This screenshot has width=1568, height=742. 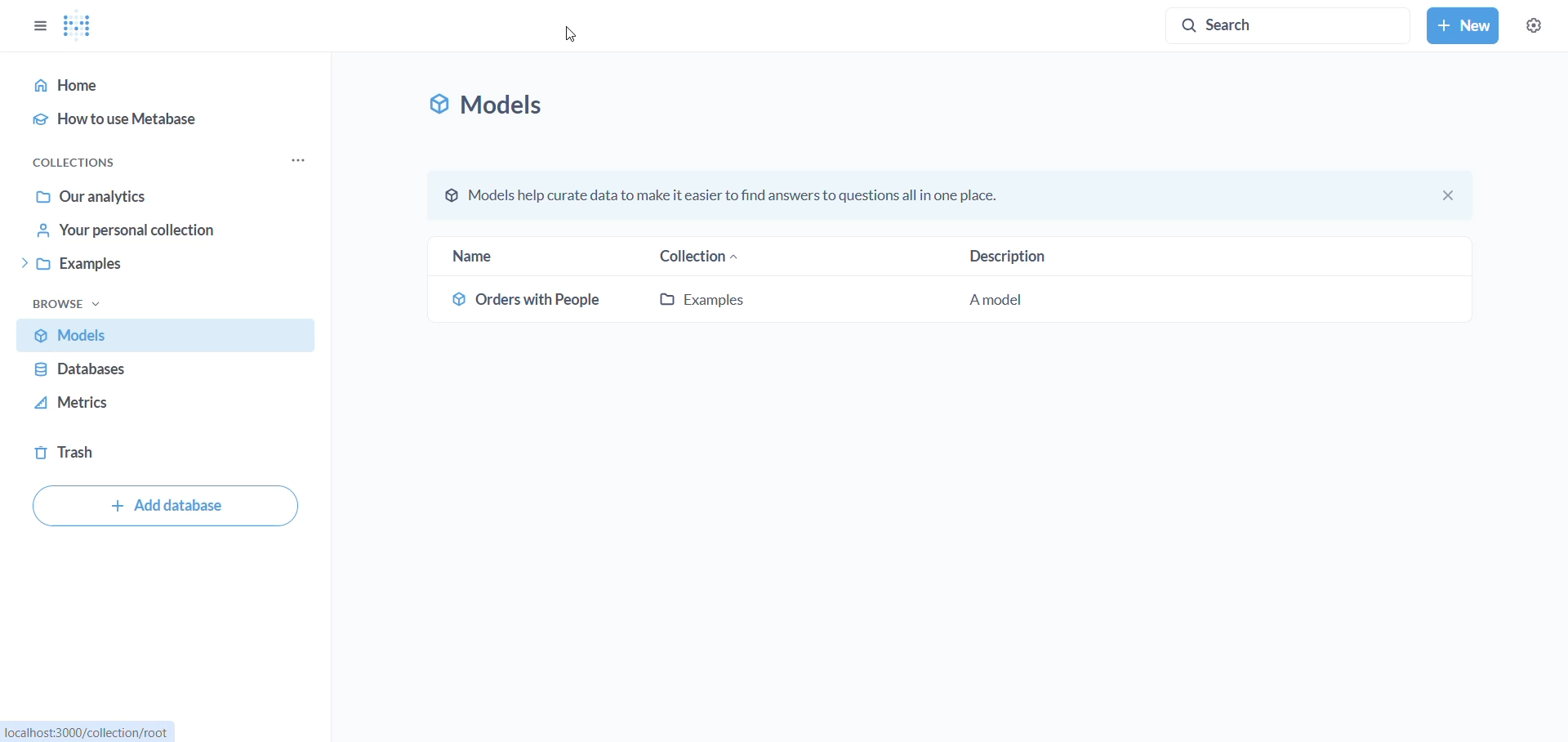 What do you see at coordinates (165, 334) in the screenshot?
I see `Models` at bounding box center [165, 334].